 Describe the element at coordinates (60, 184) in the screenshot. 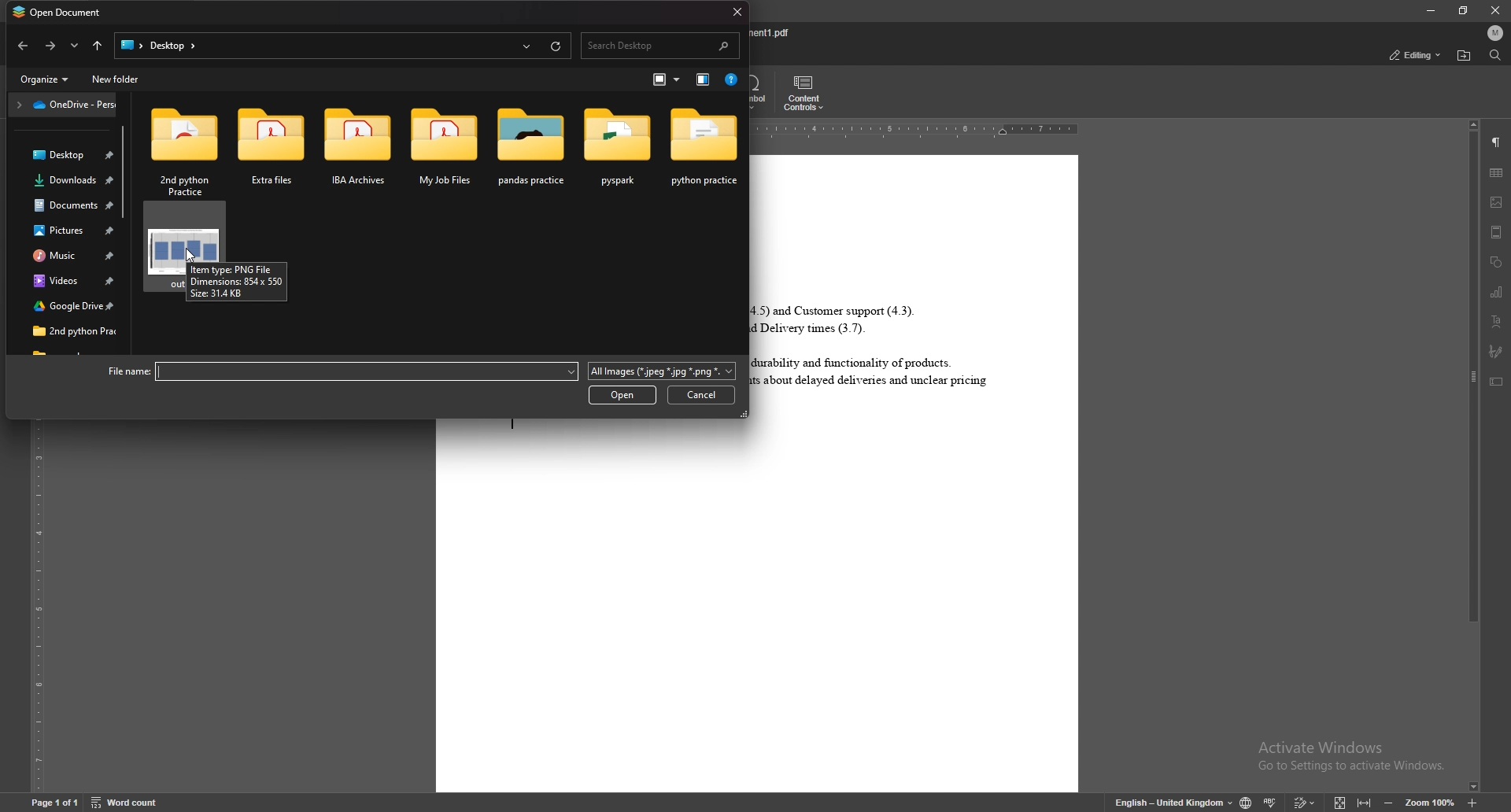

I see `folder` at that location.